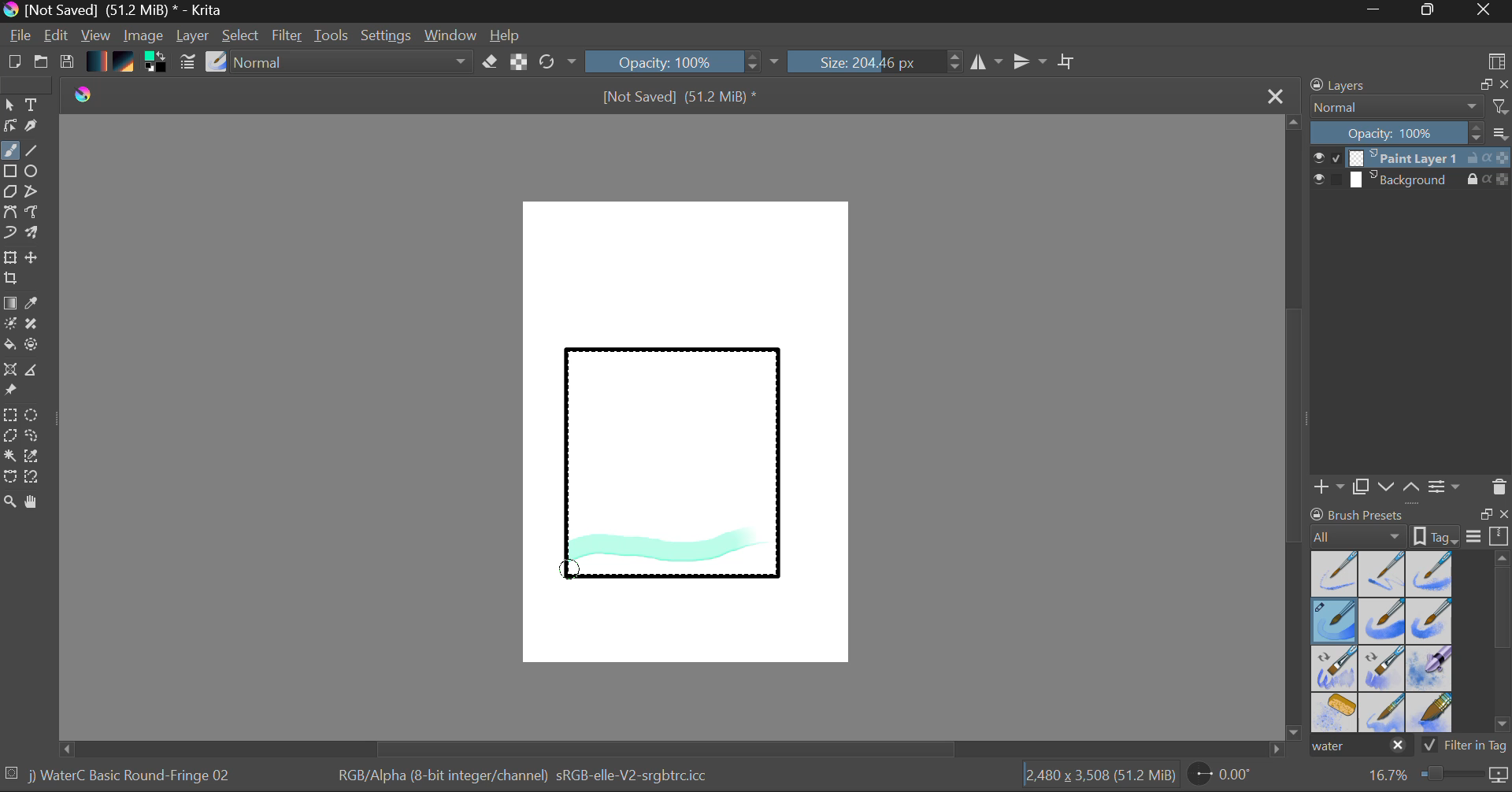 This screenshot has height=792, width=1512. What do you see at coordinates (20, 38) in the screenshot?
I see `File` at bounding box center [20, 38].